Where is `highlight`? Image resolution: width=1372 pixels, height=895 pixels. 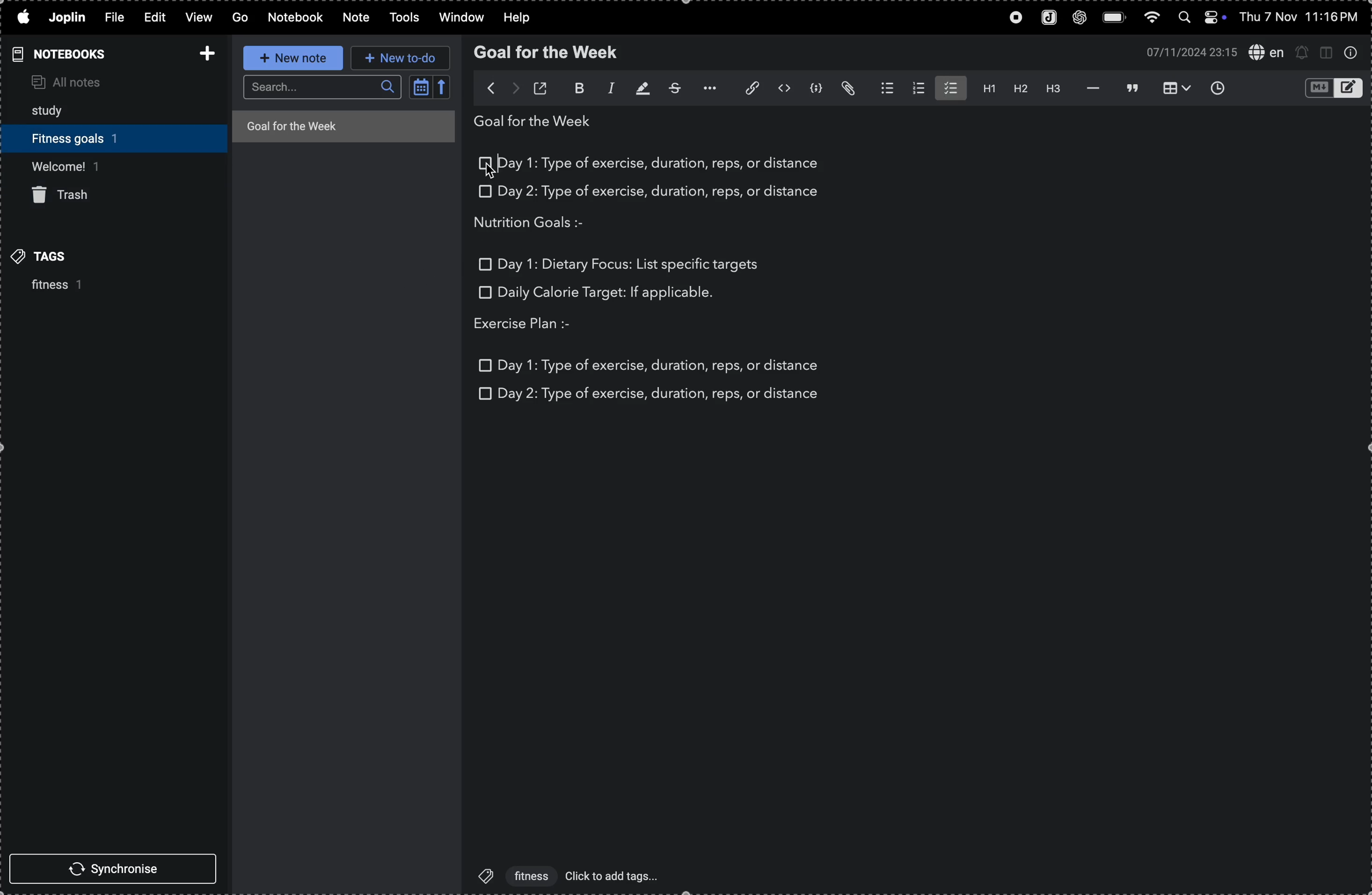
highlight is located at coordinates (638, 89).